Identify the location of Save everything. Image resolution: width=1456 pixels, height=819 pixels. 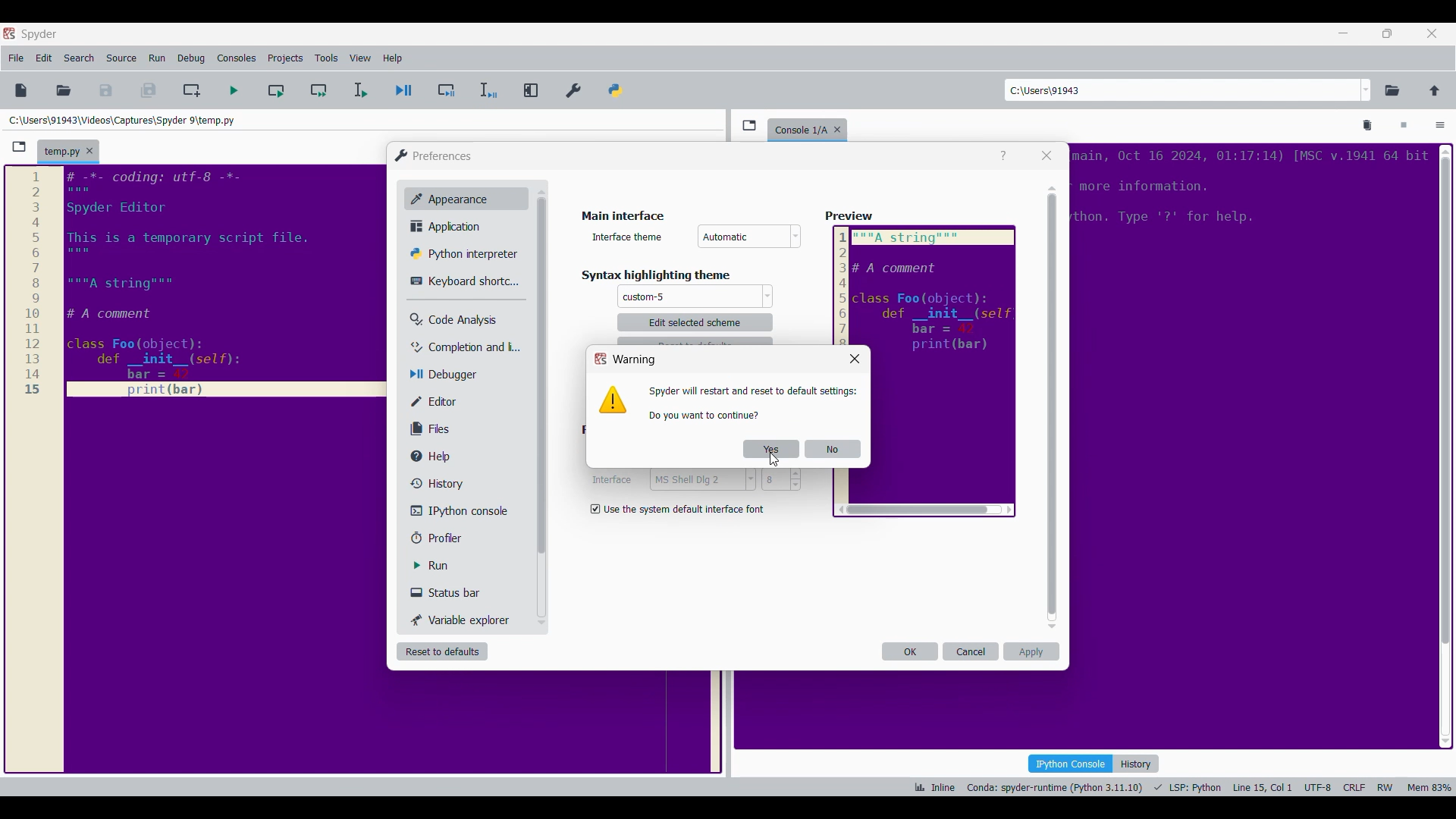
(149, 90).